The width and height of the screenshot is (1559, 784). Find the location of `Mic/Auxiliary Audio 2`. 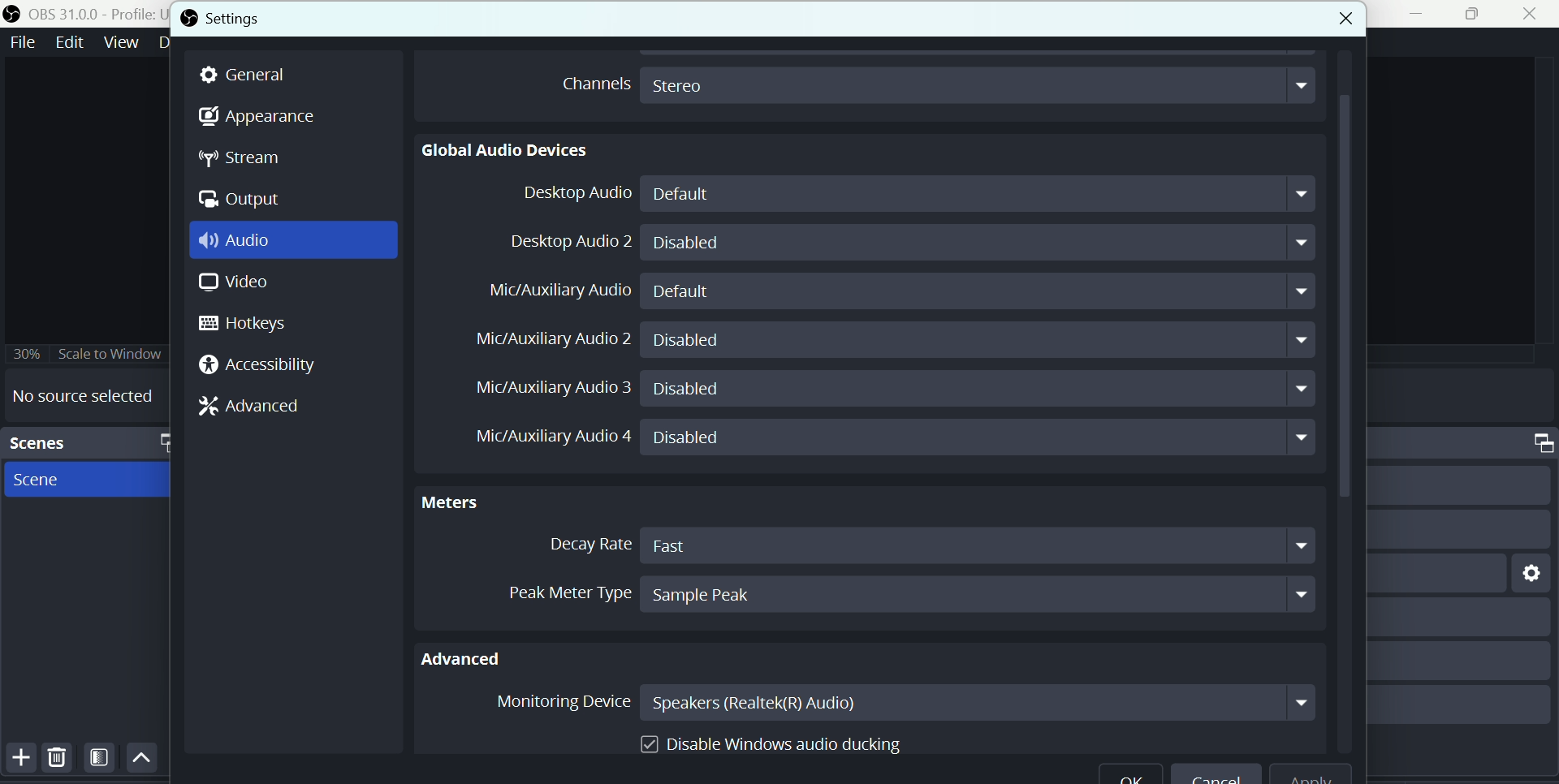

Mic/Auxiliary Audio 2 is located at coordinates (551, 337).